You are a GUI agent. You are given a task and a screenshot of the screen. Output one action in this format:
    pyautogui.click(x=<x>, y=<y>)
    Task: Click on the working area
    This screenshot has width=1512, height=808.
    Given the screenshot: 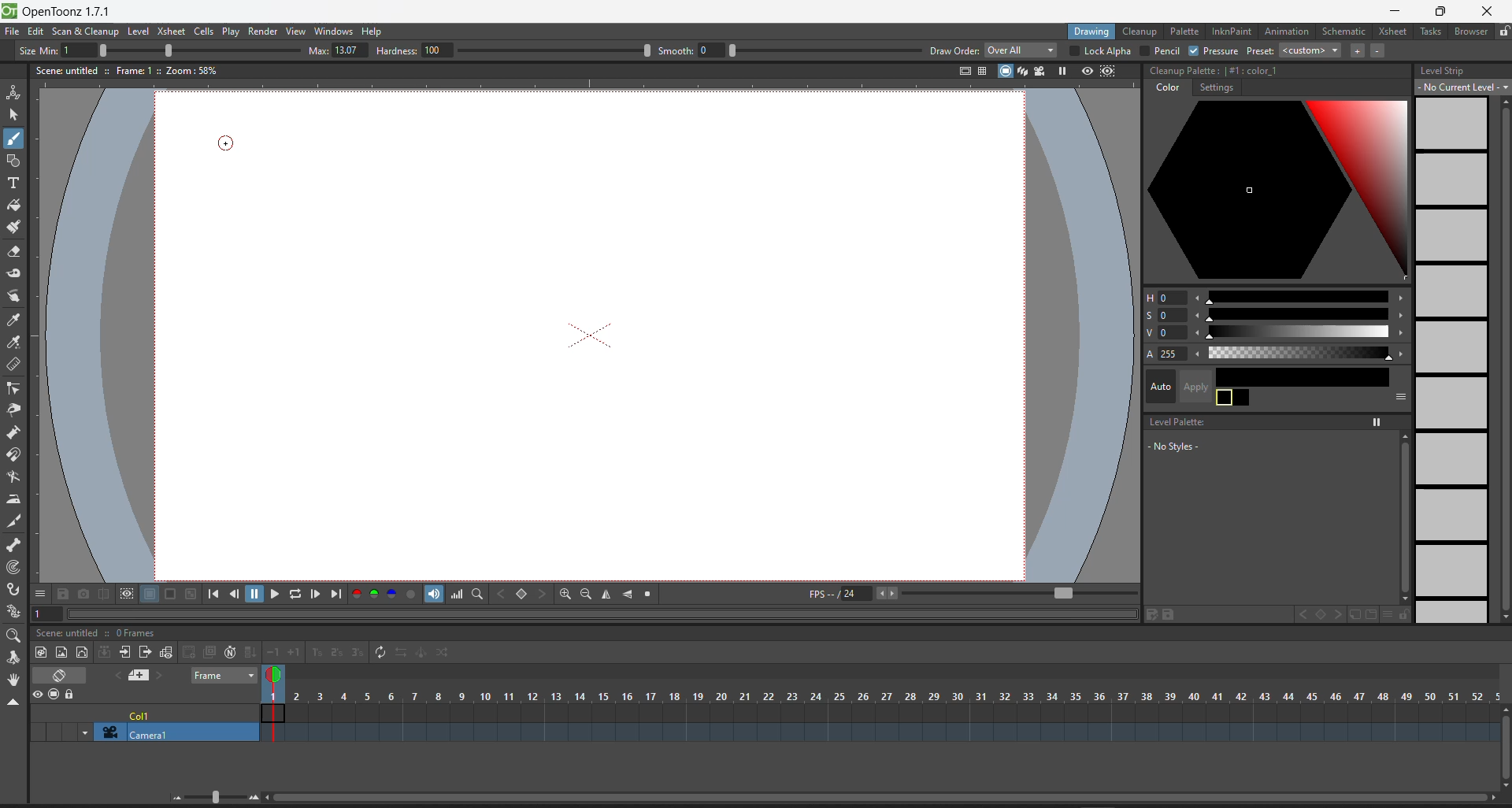 What is the action you would take?
    pyautogui.click(x=647, y=369)
    